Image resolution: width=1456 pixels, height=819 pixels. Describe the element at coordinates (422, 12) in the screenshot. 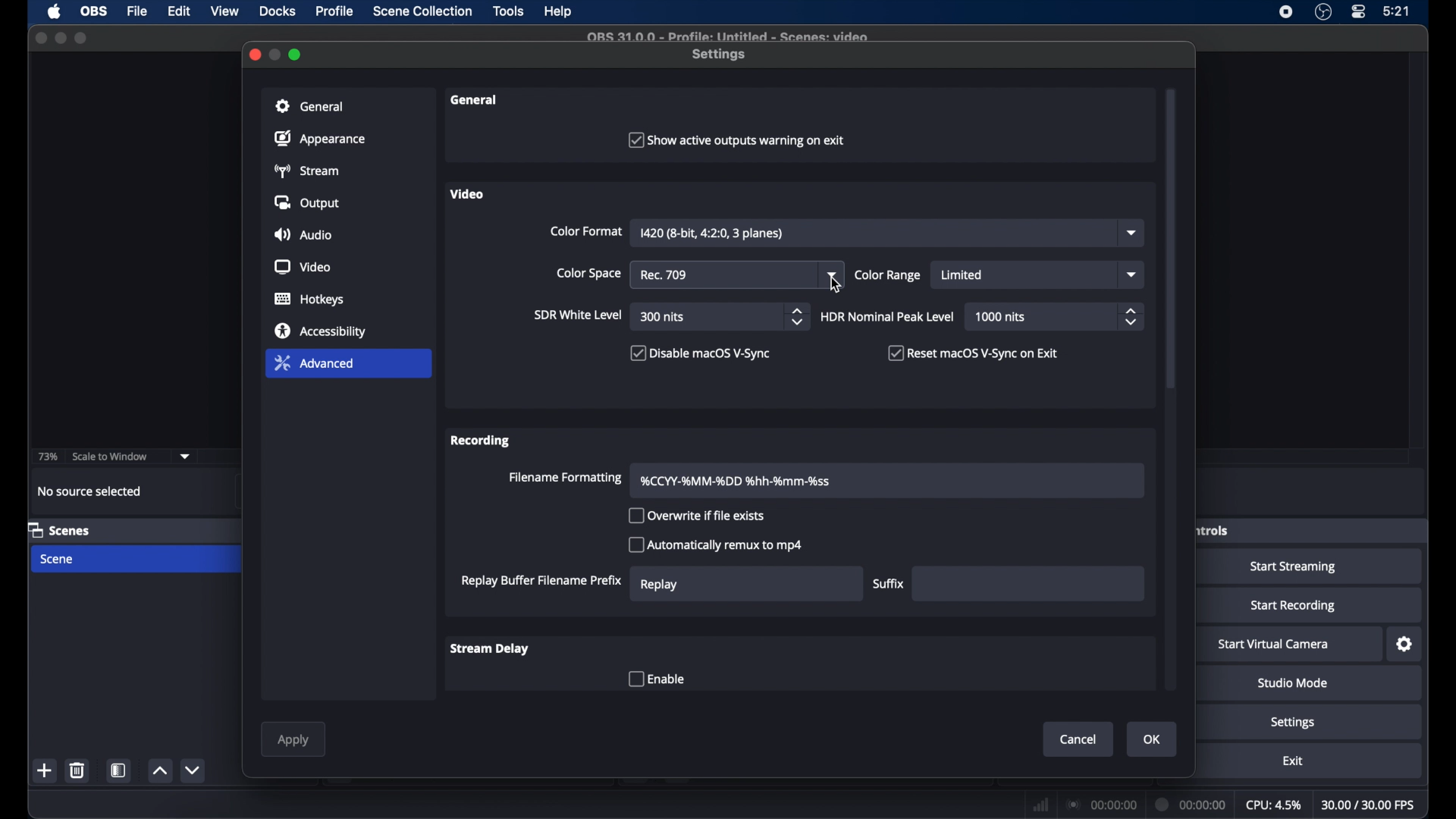

I see `scene collection` at that location.